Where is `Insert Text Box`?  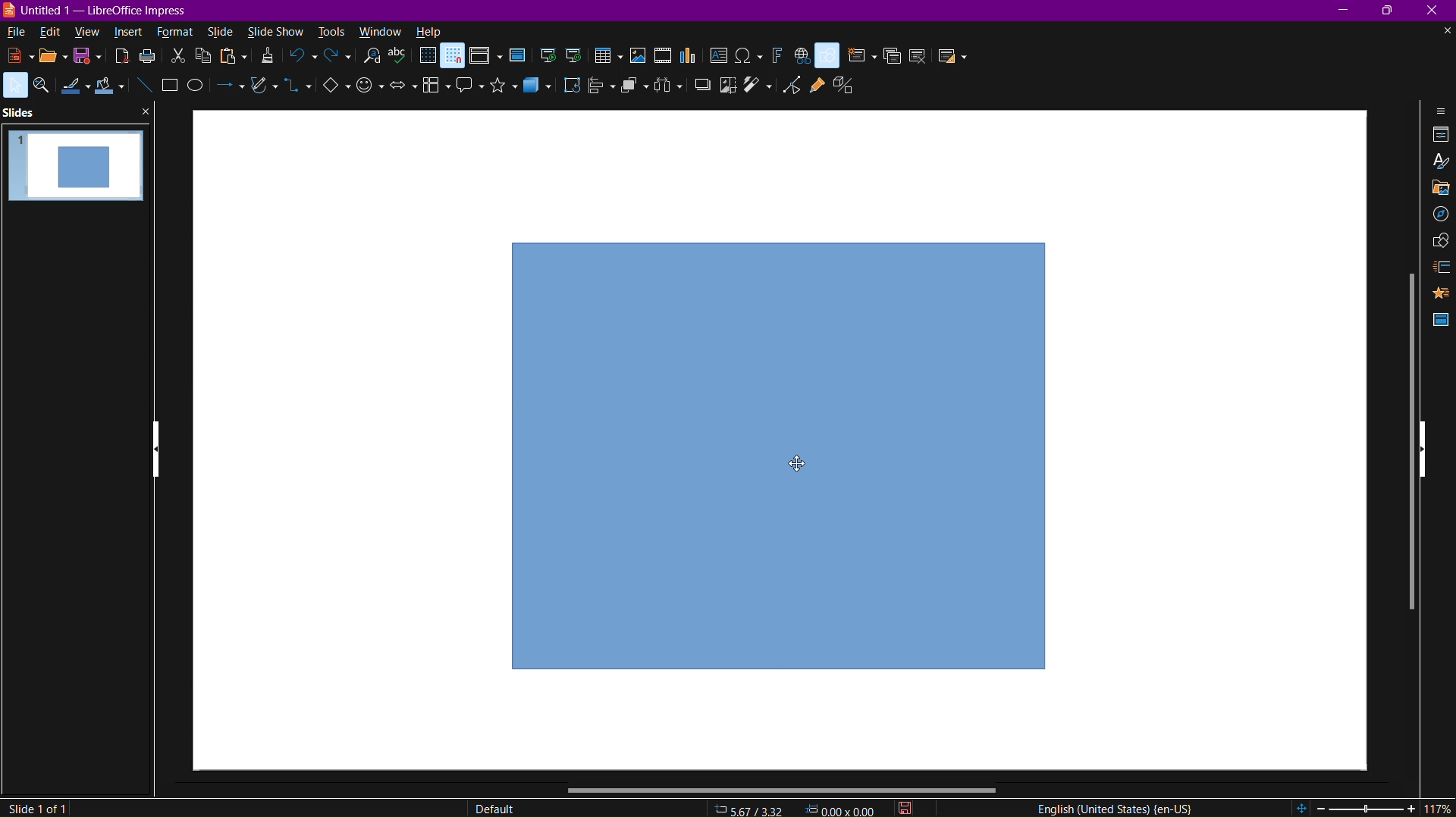 Insert Text Box is located at coordinates (721, 56).